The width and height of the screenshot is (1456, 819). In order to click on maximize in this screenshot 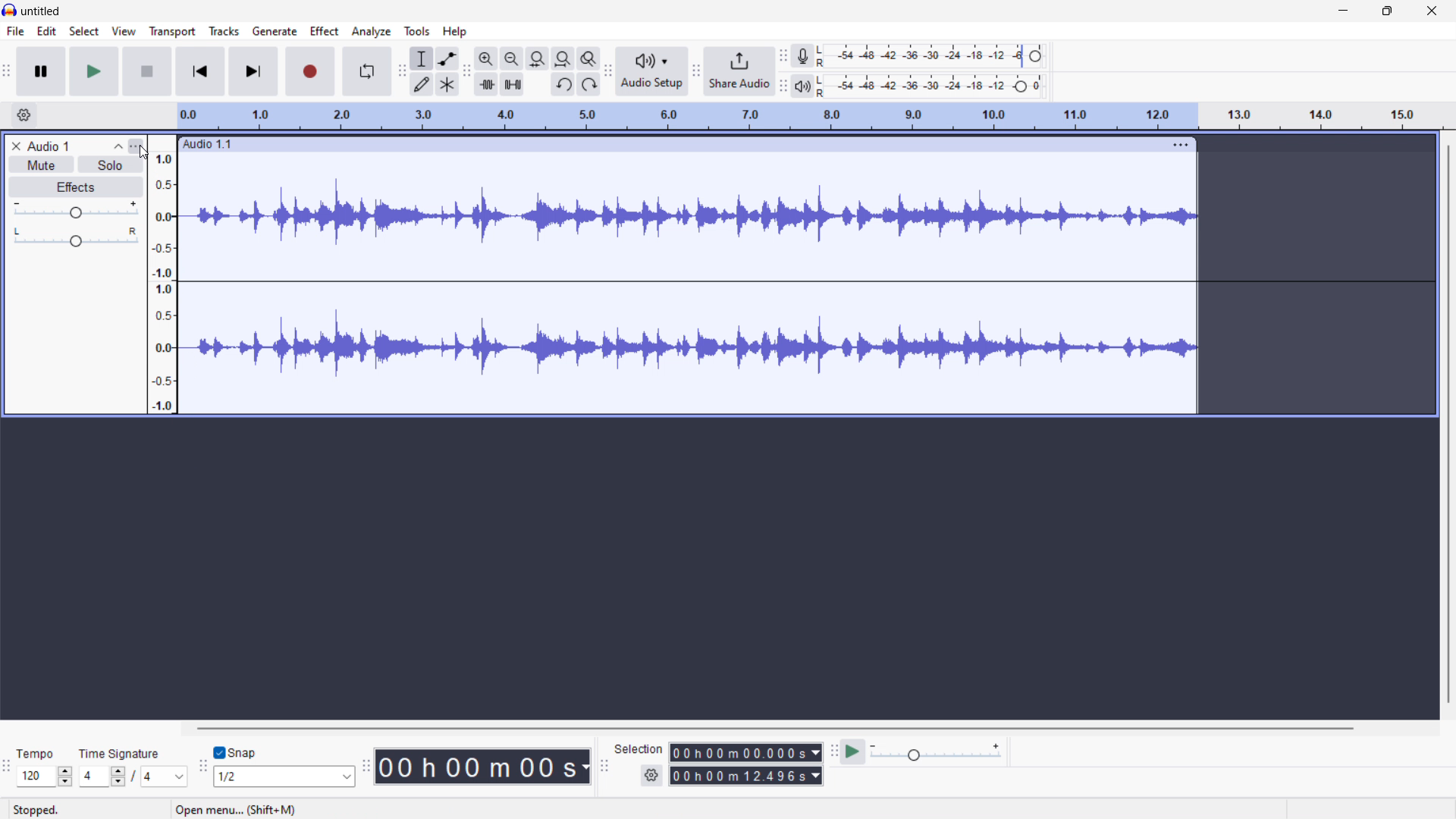, I will do `click(1389, 11)`.